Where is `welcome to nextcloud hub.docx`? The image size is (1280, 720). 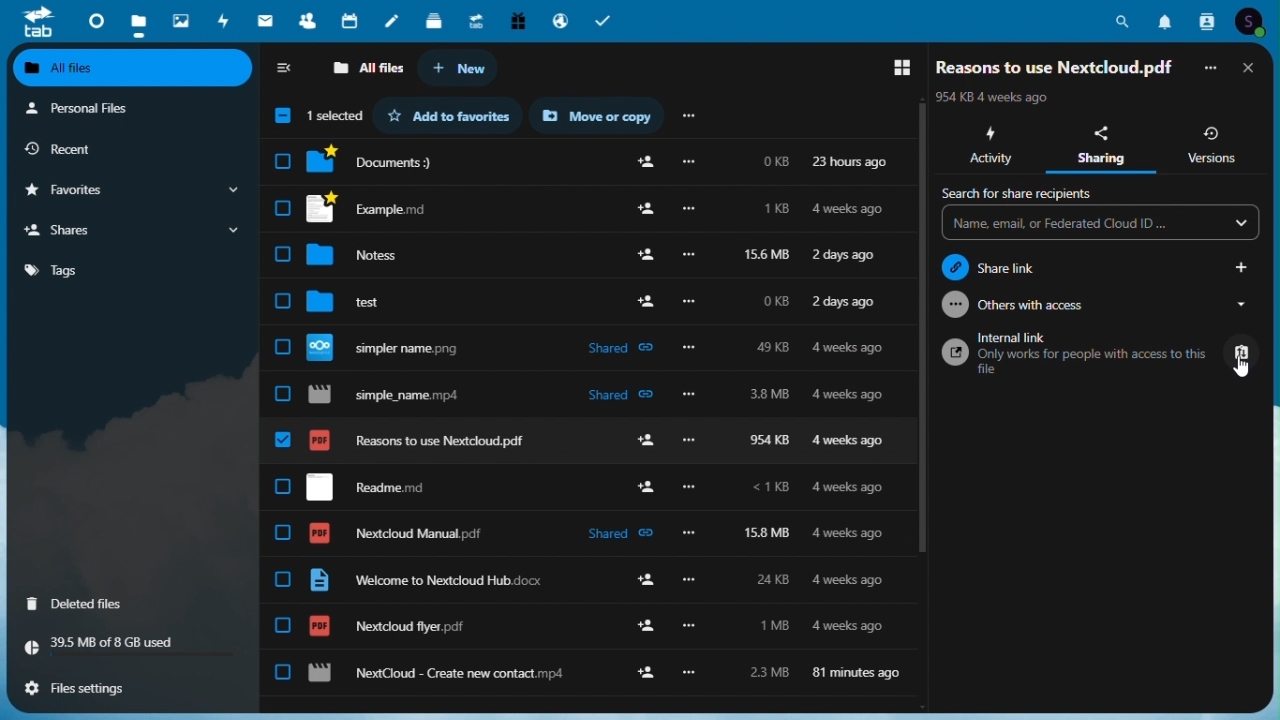
welcome to nextcloud hub.docx is located at coordinates (426, 581).